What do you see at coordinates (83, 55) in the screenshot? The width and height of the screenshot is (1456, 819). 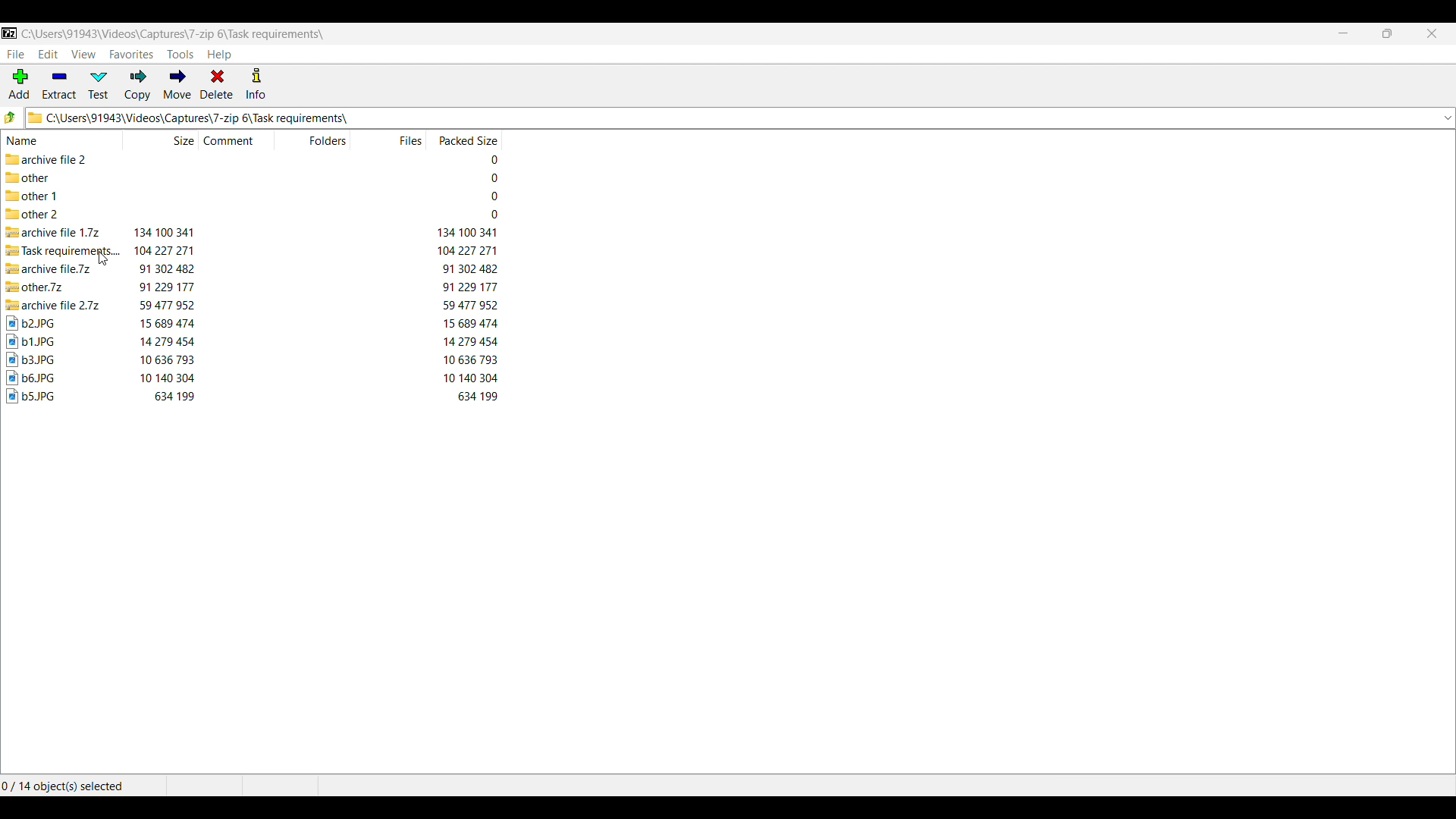 I see `View menu` at bounding box center [83, 55].